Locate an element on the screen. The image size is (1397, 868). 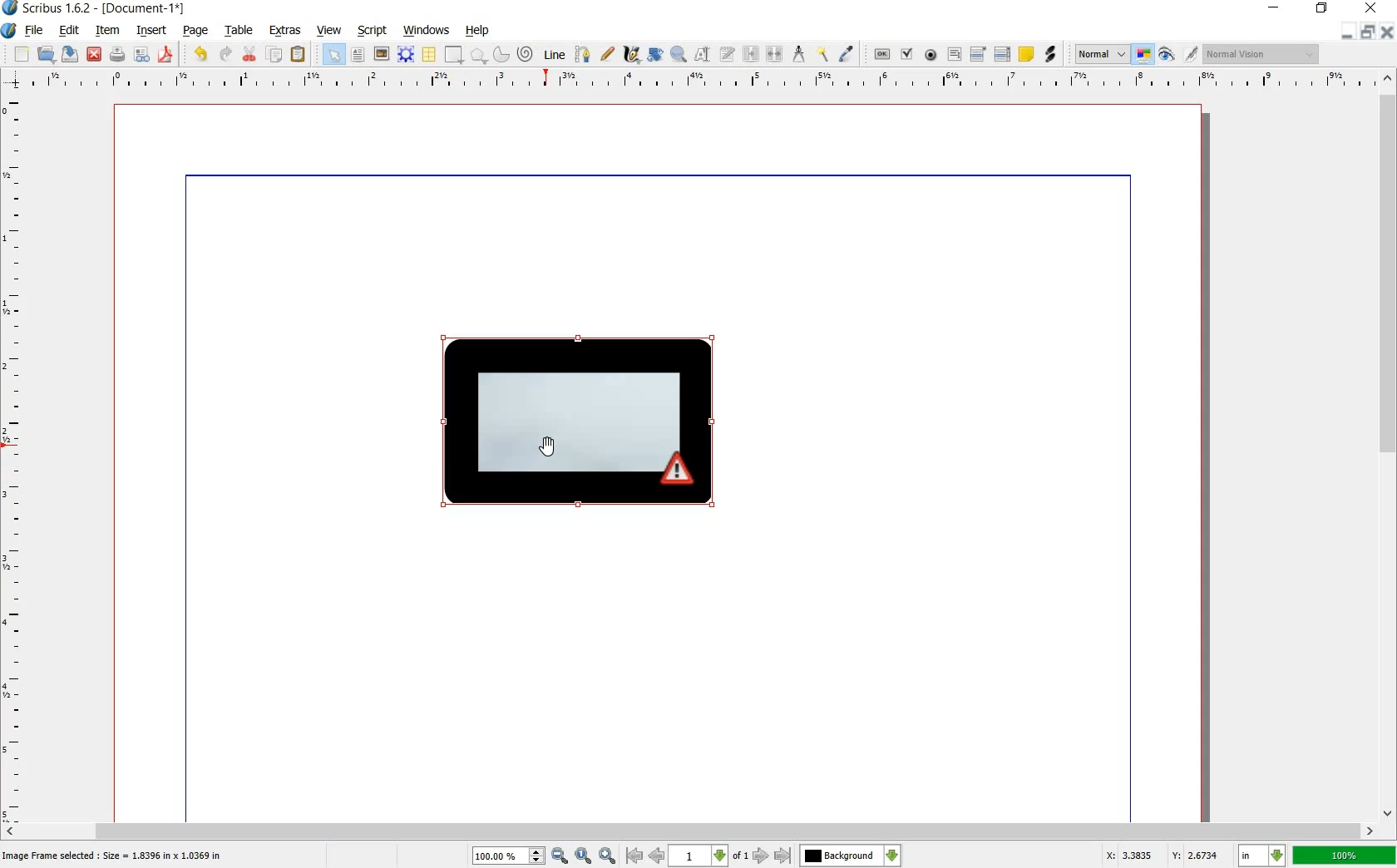
close is located at coordinates (1370, 8).